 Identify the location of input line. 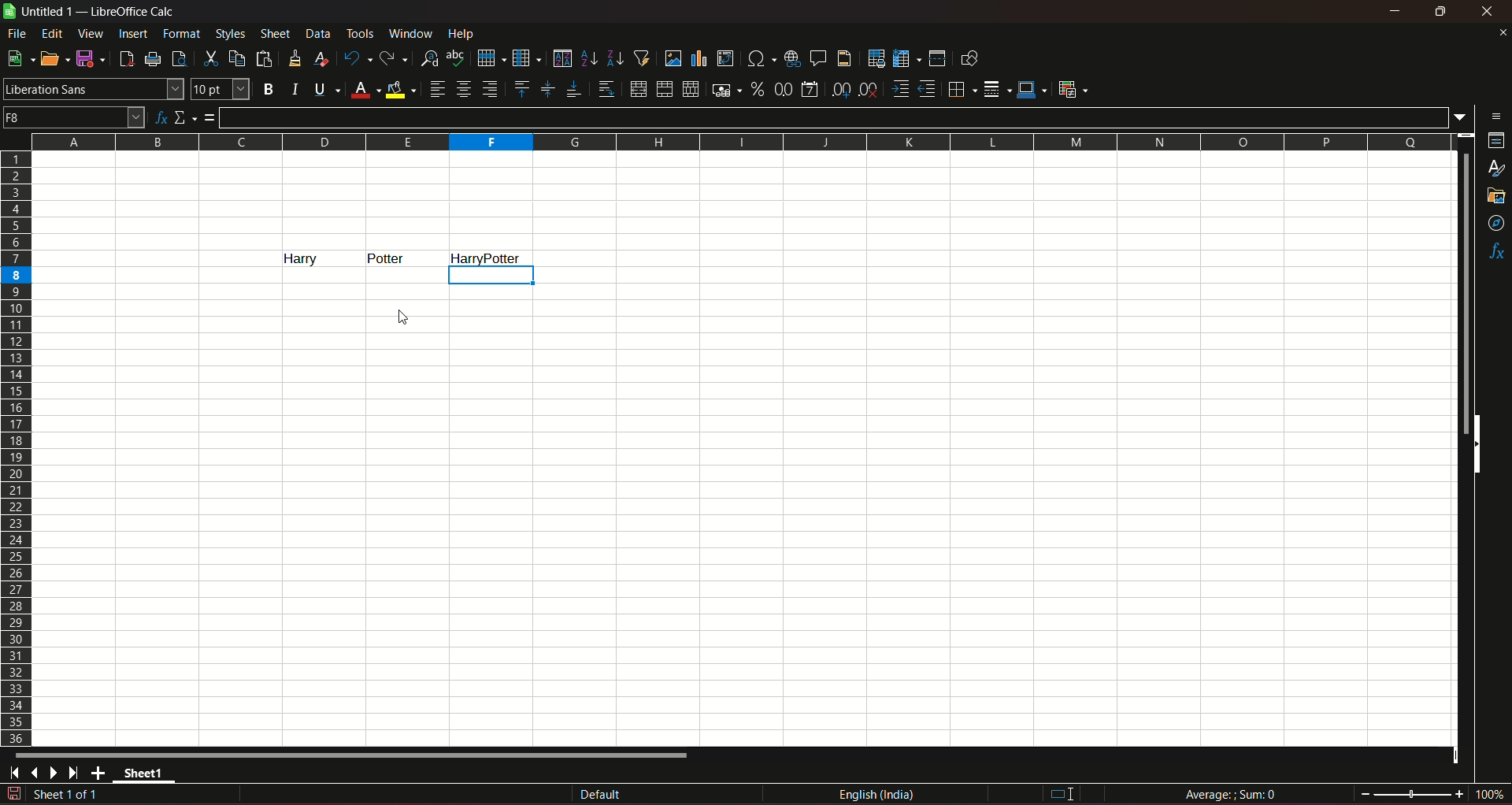
(836, 117).